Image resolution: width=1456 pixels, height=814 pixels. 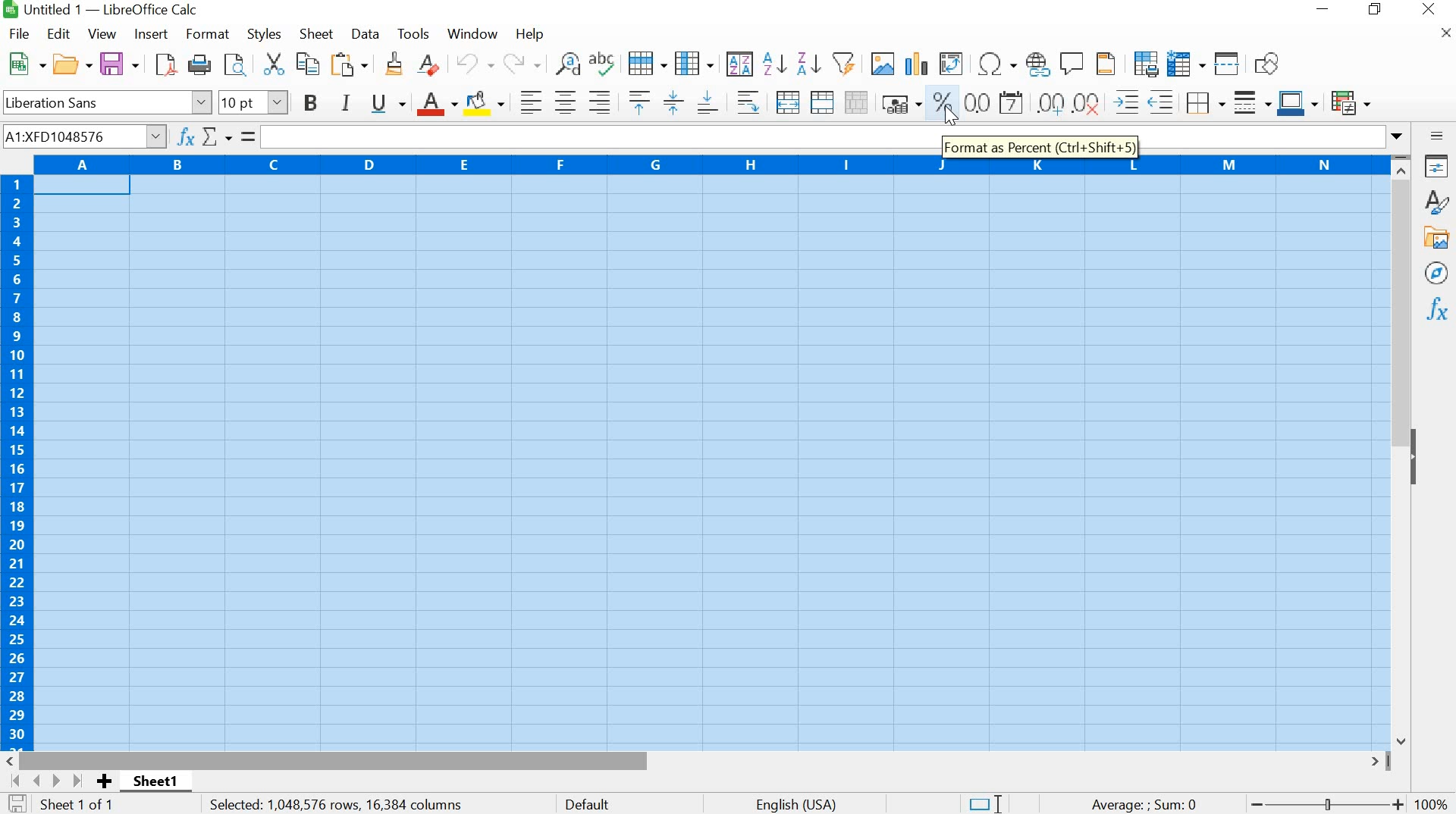 I want to click on CLOSE DOCUMENT, so click(x=1443, y=36).